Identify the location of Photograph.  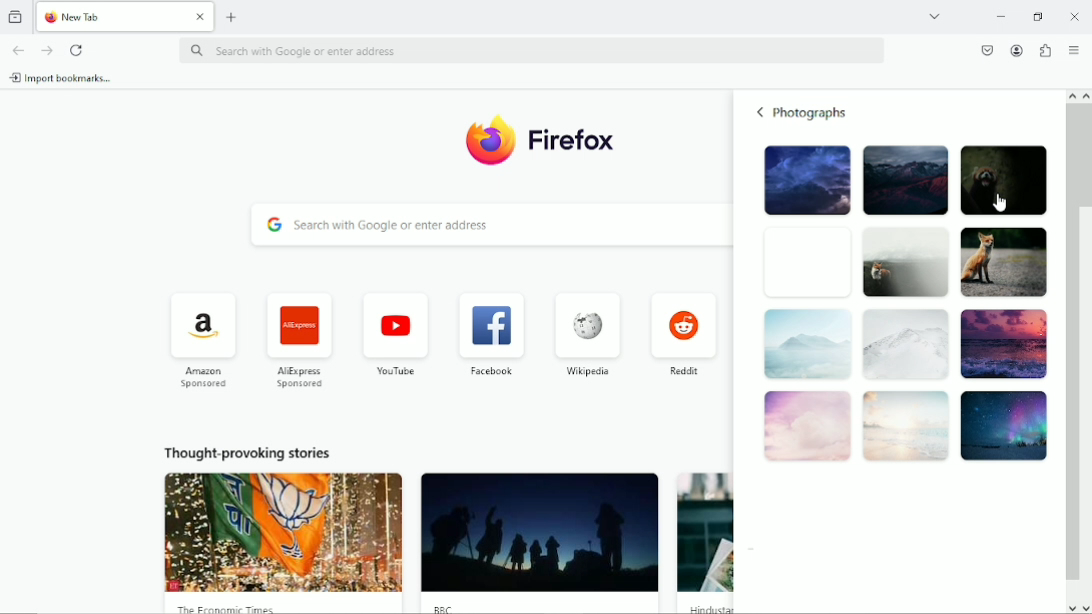
(805, 429).